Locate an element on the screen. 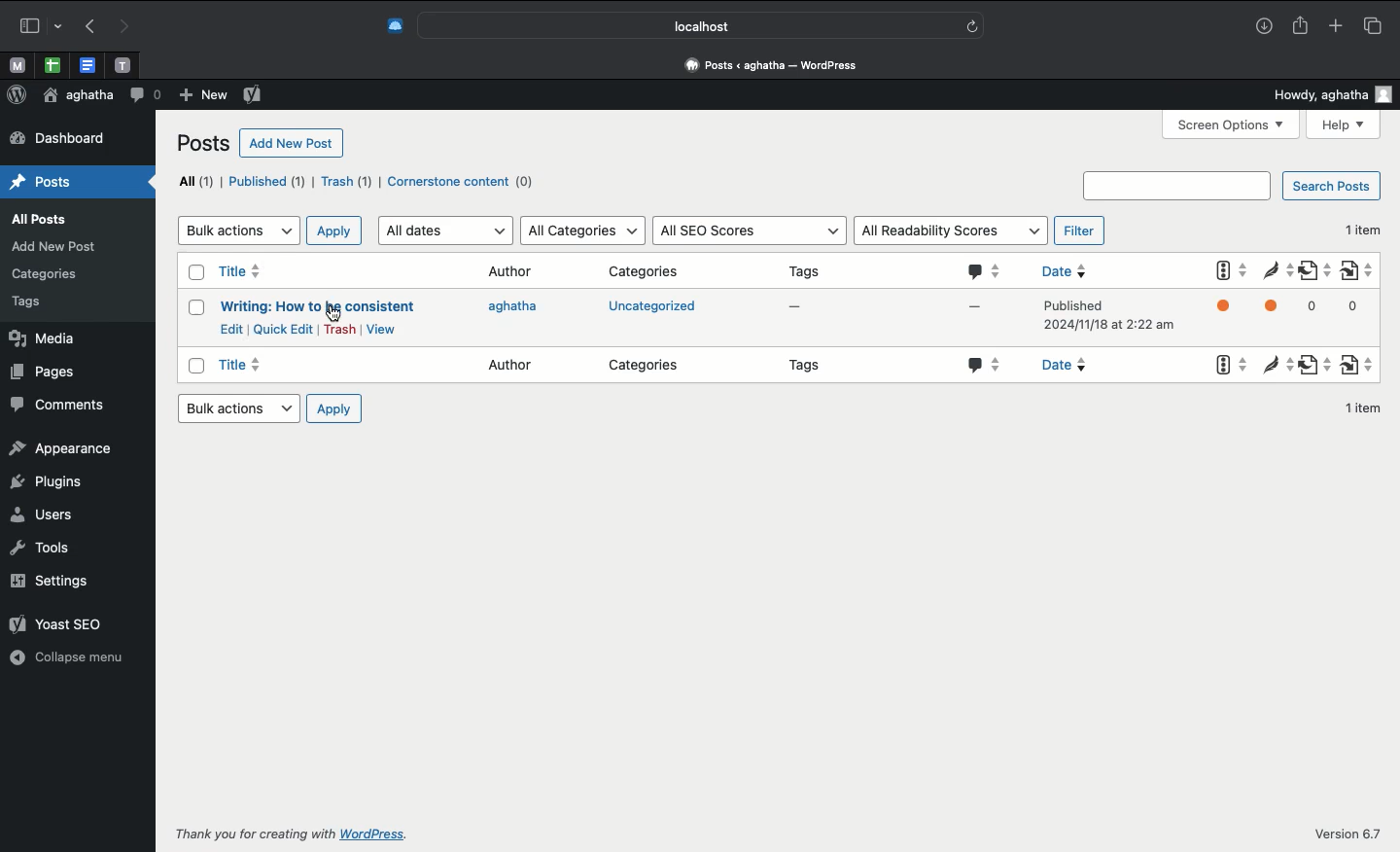 The width and height of the screenshot is (1400, 852). Outgoing links is located at coordinates (1315, 268).